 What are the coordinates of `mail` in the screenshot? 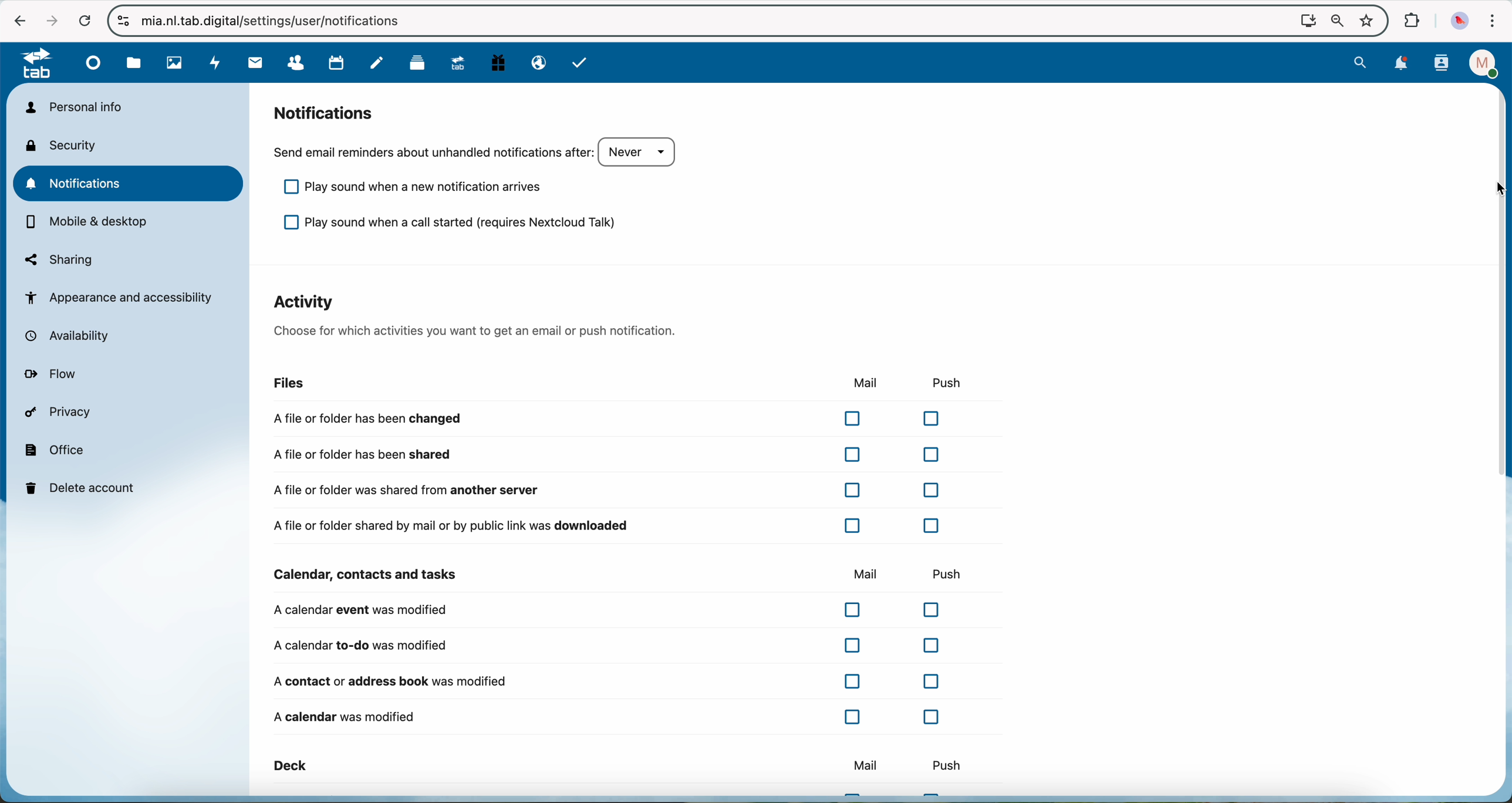 It's located at (869, 574).